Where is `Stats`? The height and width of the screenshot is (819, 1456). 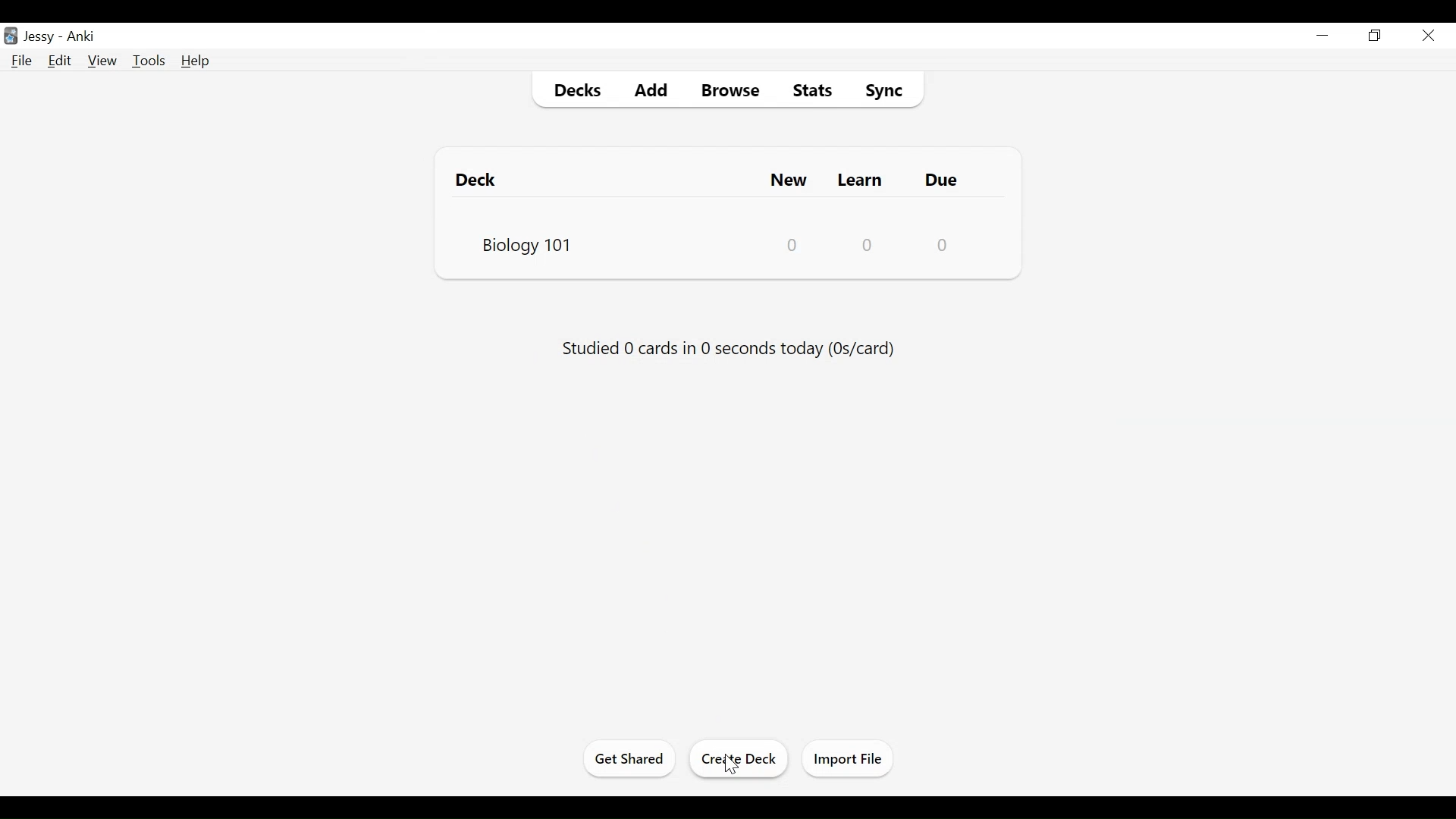
Stats is located at coordinates (808, 87).